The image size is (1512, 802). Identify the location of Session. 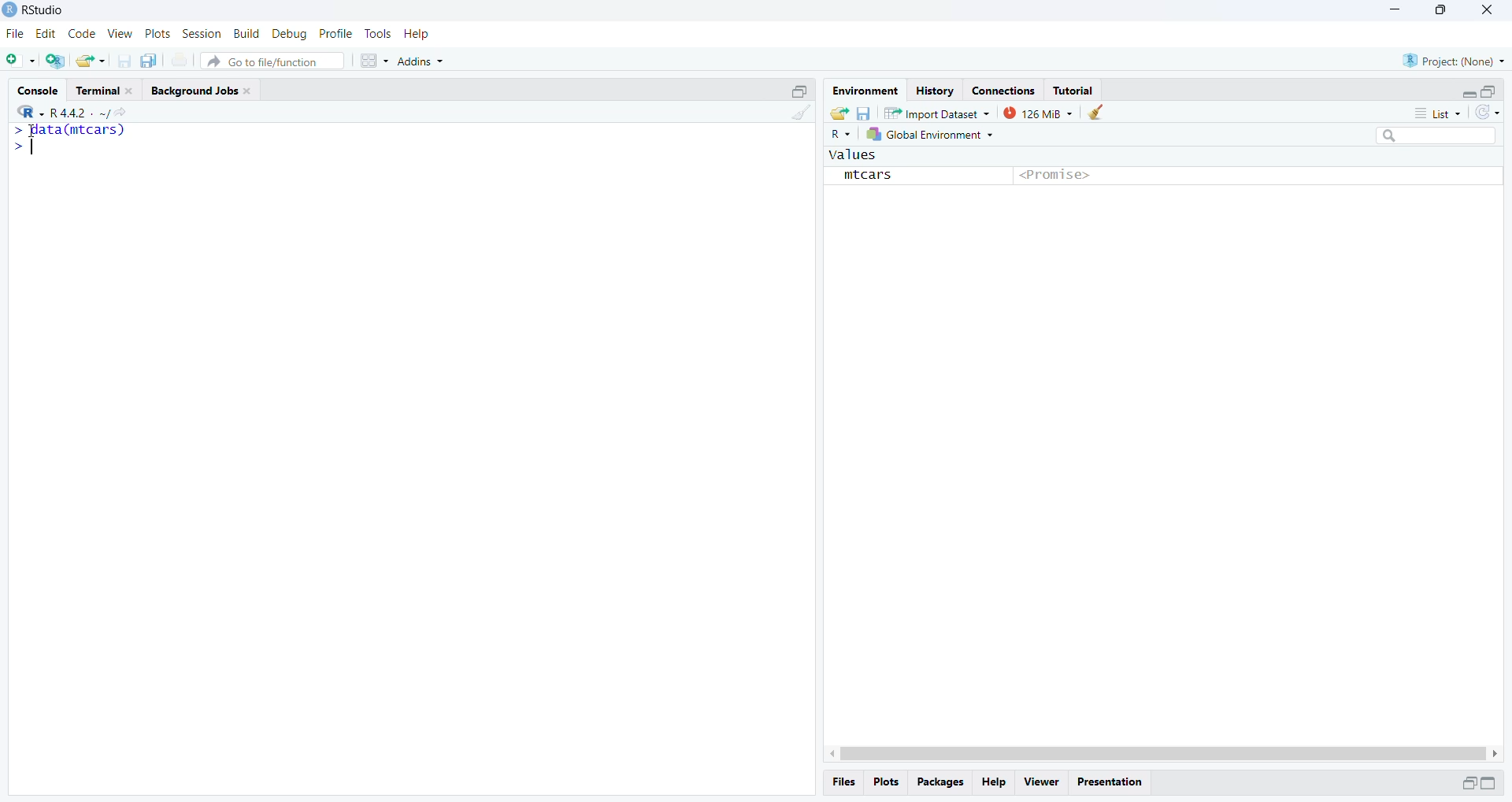
(202, 33).